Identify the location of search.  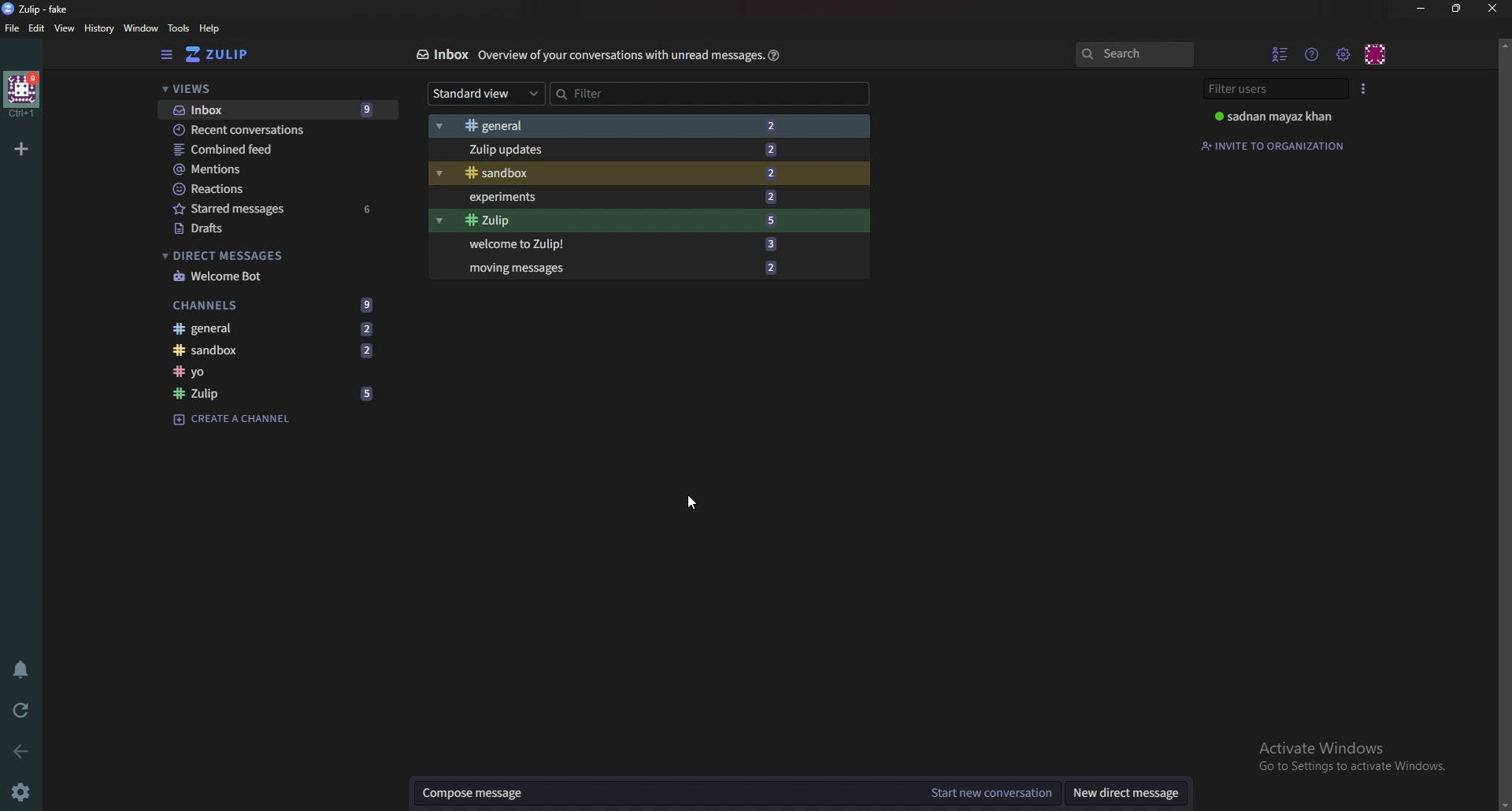
(1139, 54).